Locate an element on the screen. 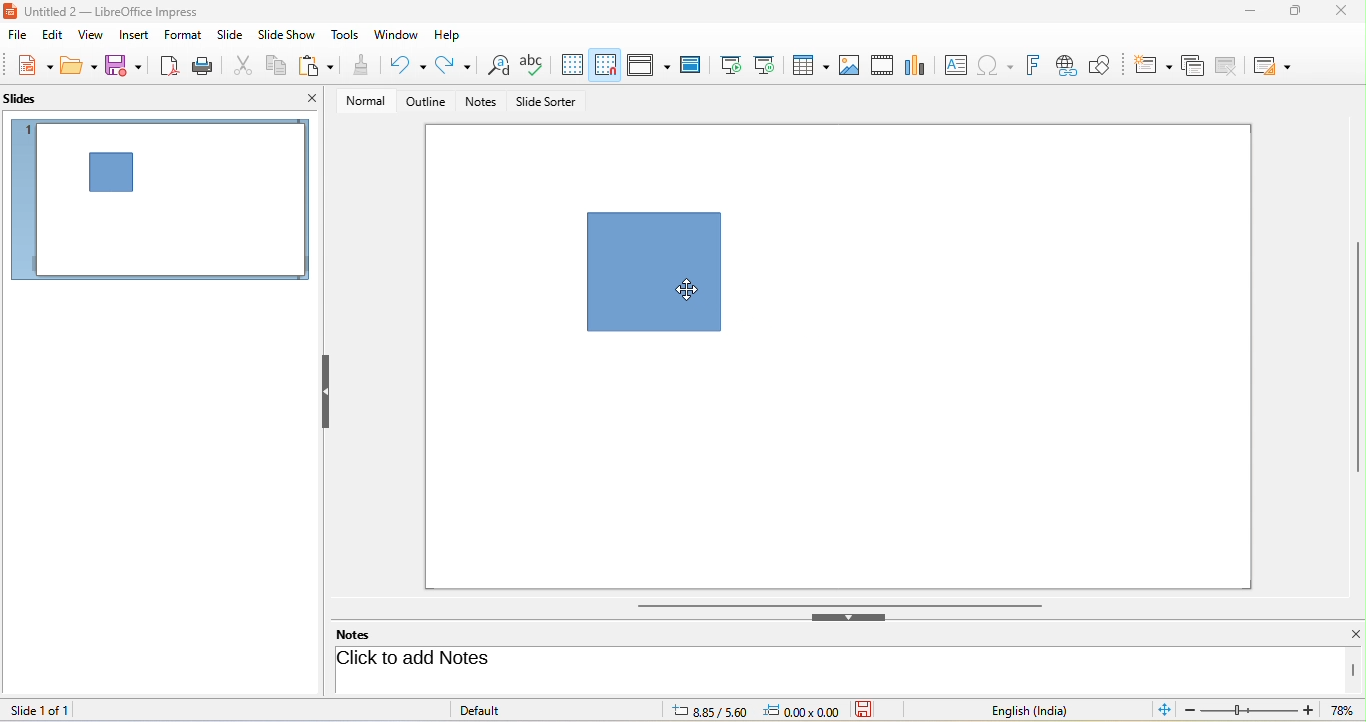 This screenshot has width=1366, height=722. normal is located at coordinates (359, 100).